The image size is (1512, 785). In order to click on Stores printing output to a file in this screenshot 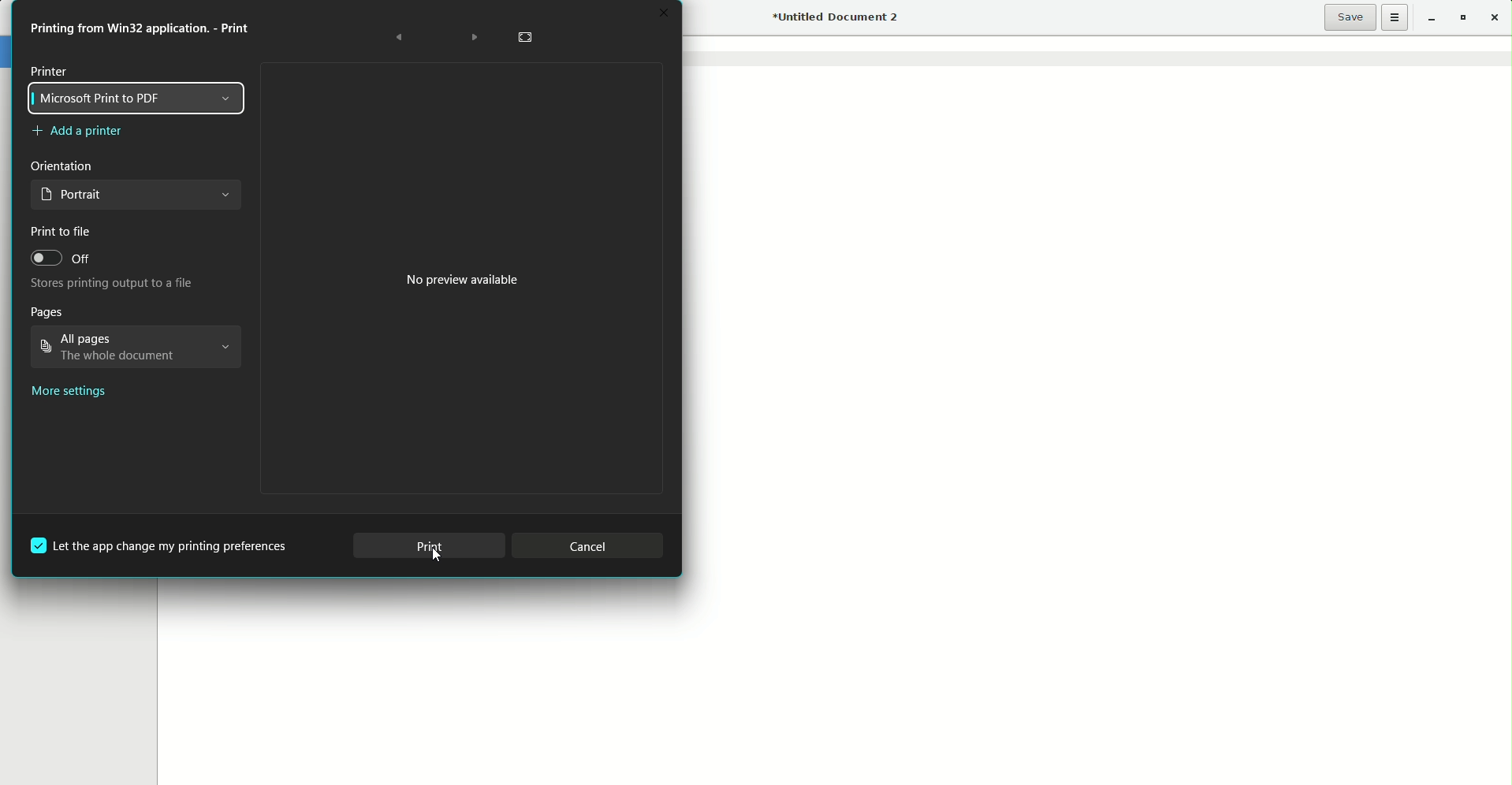, I will do `click(111, 285)`.